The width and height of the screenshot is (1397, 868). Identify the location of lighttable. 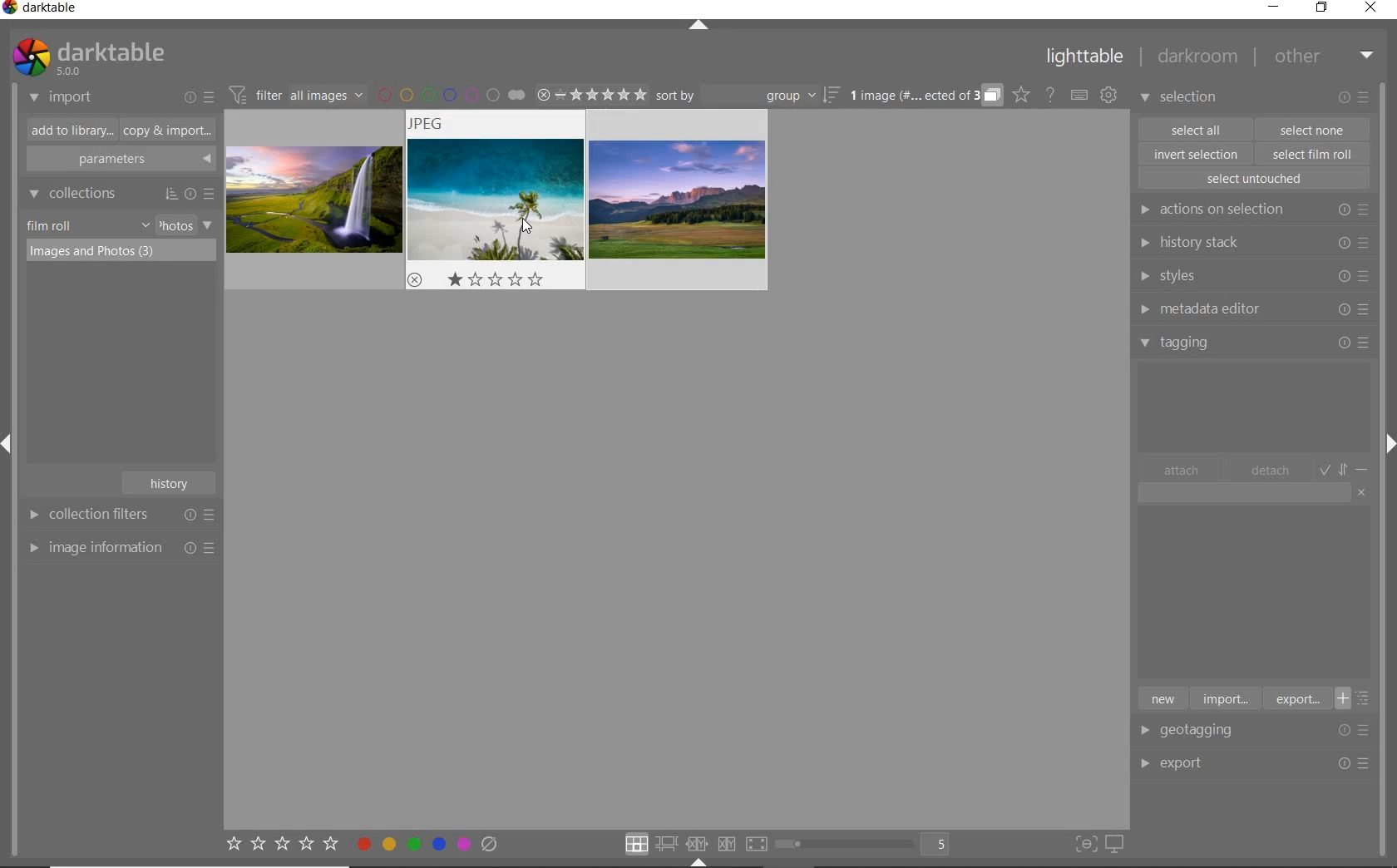
(1085, 60).